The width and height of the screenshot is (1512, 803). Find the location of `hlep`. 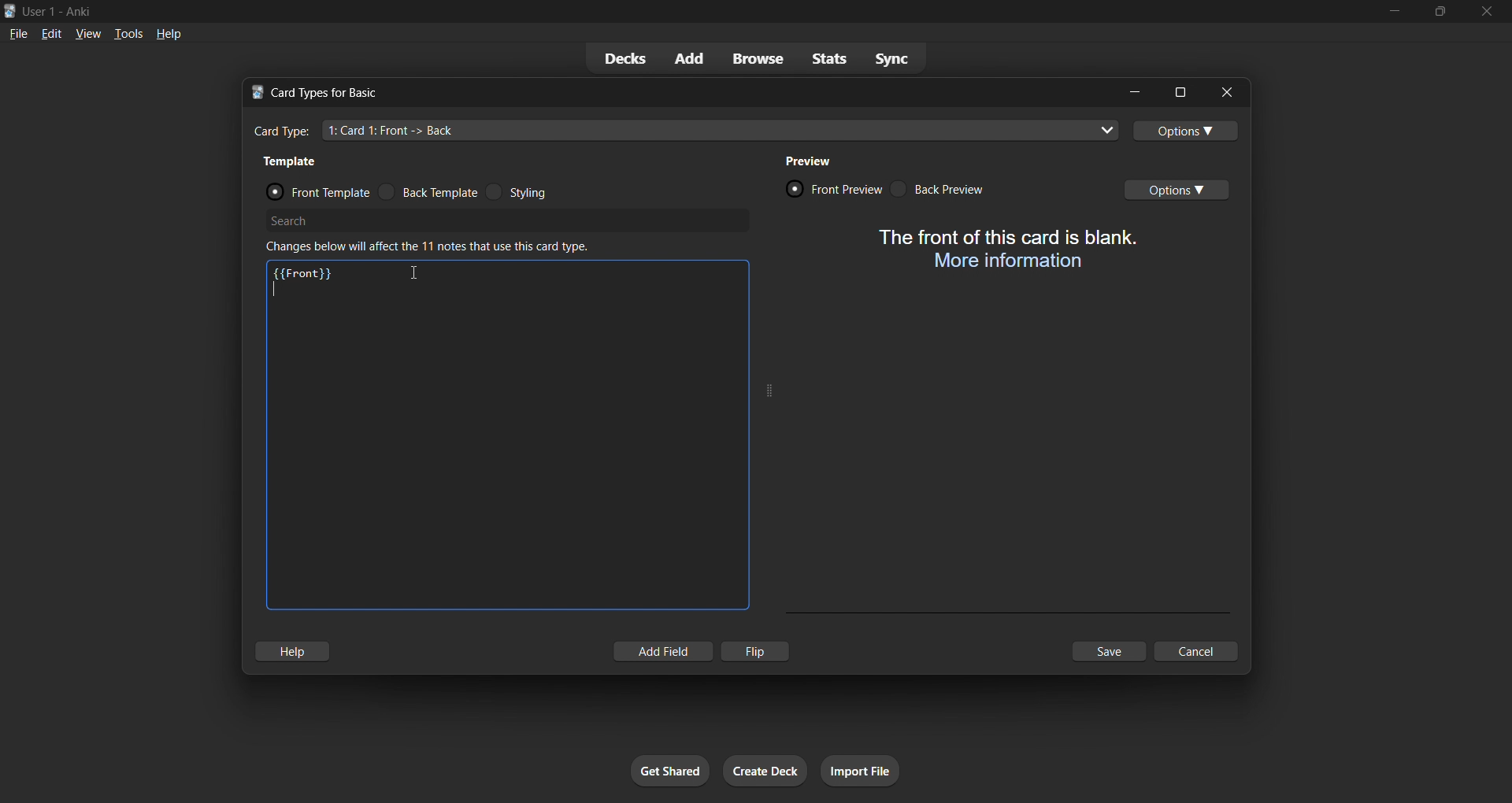

hlep is located at coordinates (298, 652).